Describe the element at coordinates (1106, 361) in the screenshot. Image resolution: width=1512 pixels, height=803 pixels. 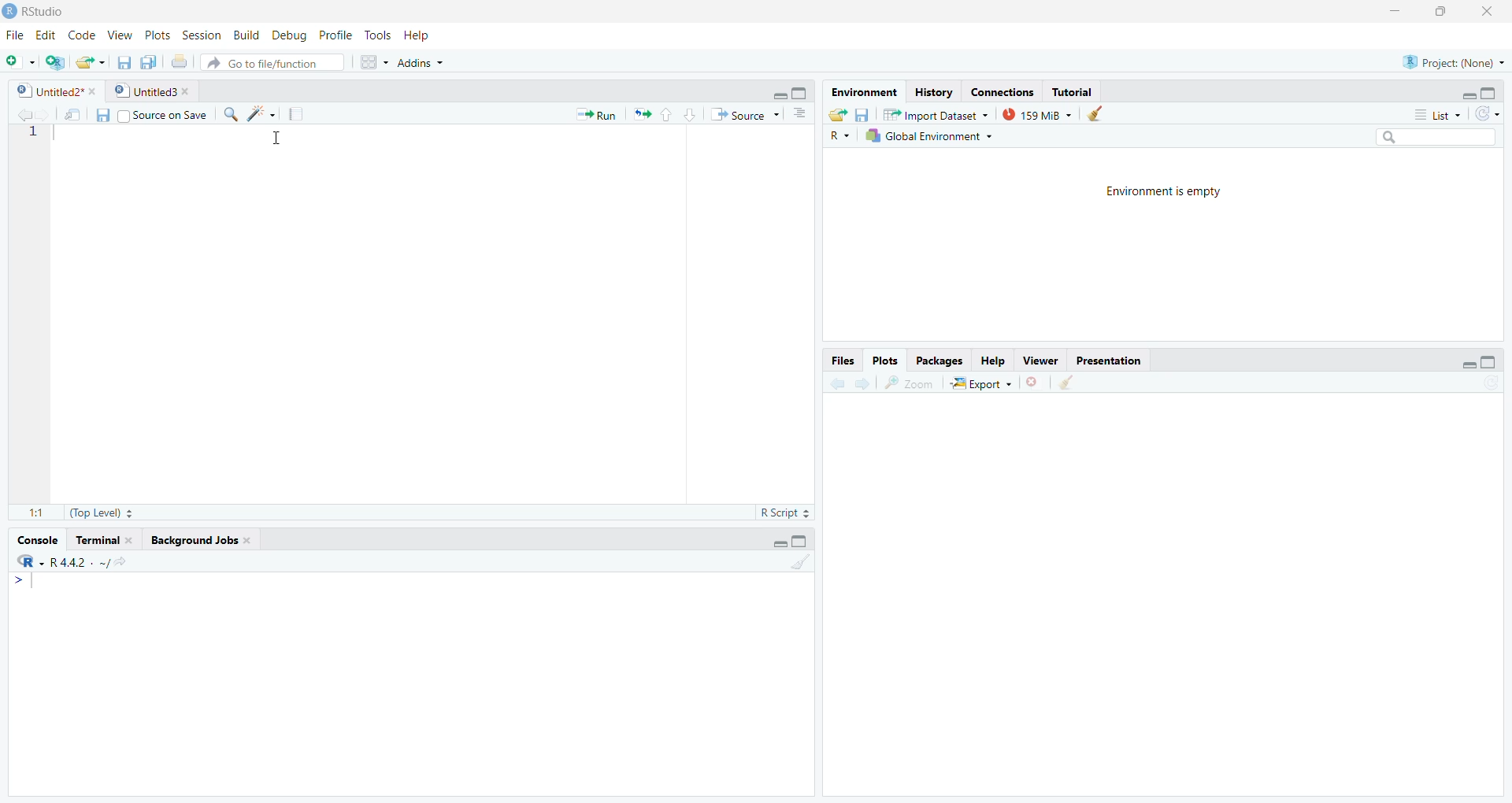
I see `Presentation` at that location.